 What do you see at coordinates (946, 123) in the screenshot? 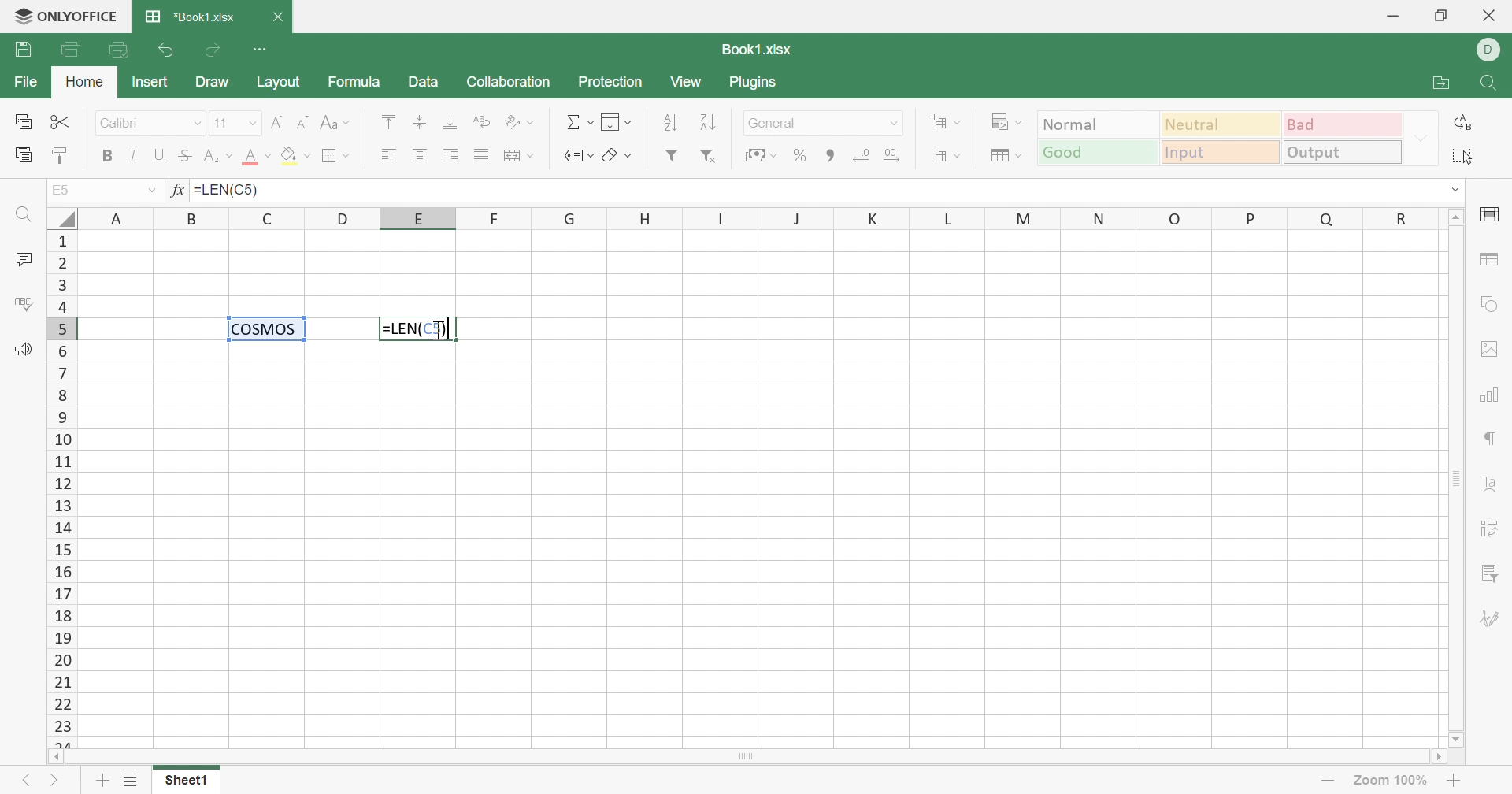
I see `Add cells` at bounding box center [946, 123].